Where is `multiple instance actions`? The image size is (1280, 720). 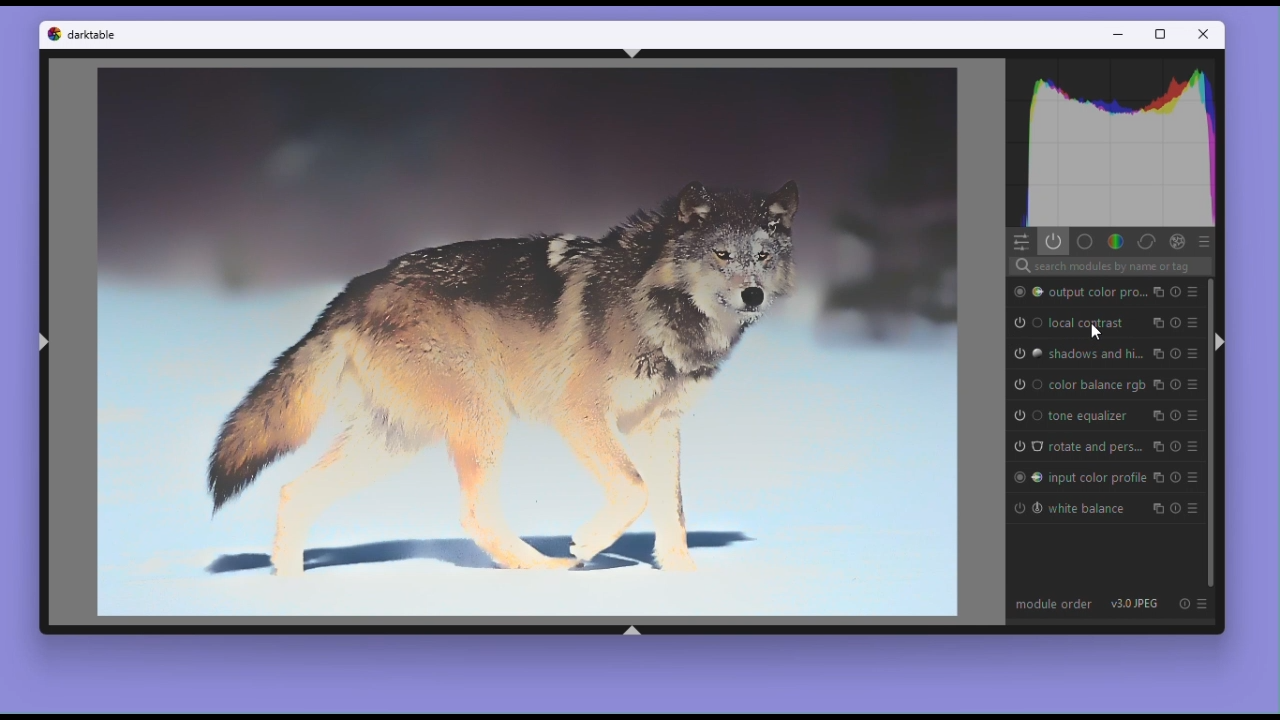
multiple instance actions is located at coordinates (1156, 354).